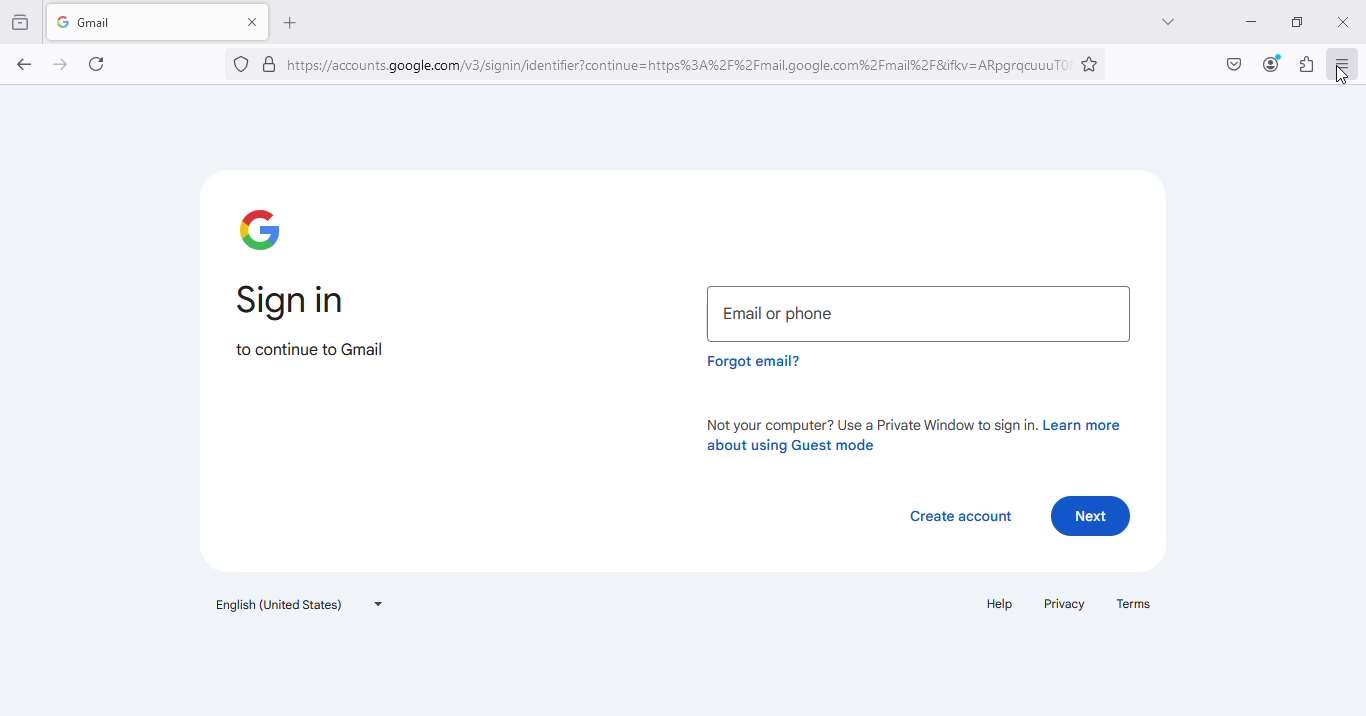  Describe the element at coordinates (21, 22) in the screenshot. I see `view recent browsing across windows and devices` at that location.